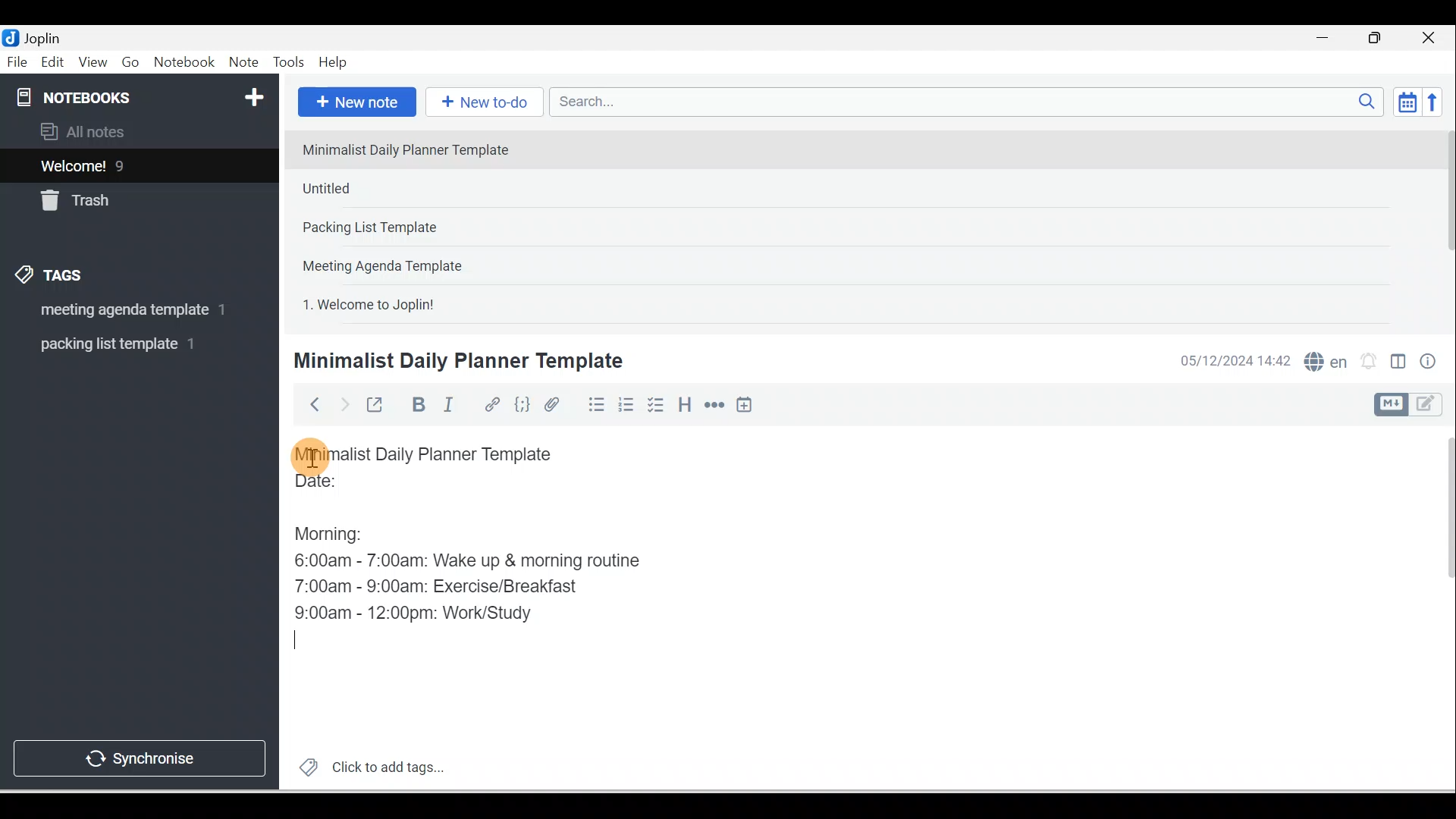  What do you see at coordinates (1444, 224) in the screenshot?
I see `Scroll bar` at bounding box center [1444, 224].